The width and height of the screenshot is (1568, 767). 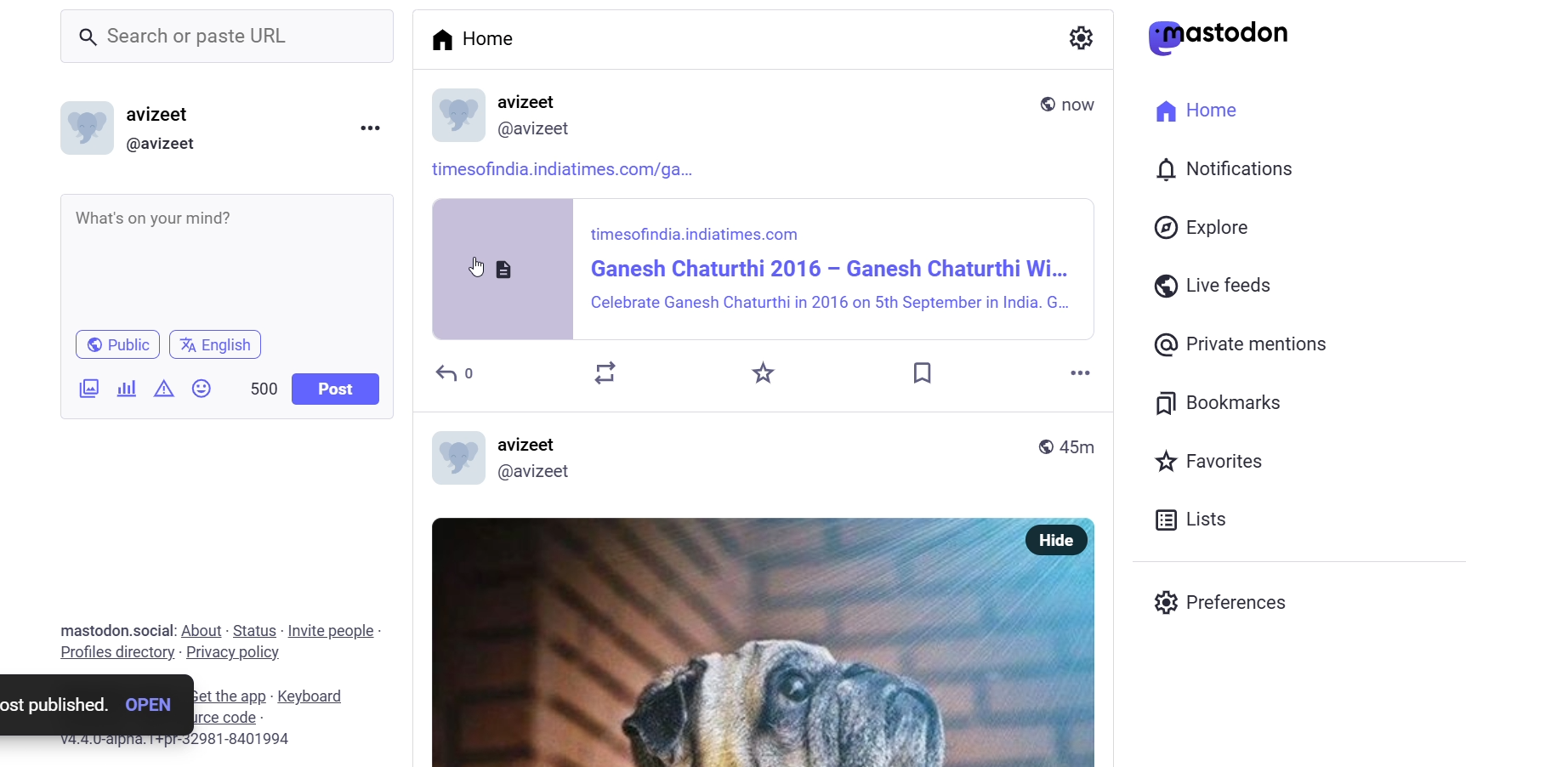 I want to click on astodon, so click(x=1222, y=36).